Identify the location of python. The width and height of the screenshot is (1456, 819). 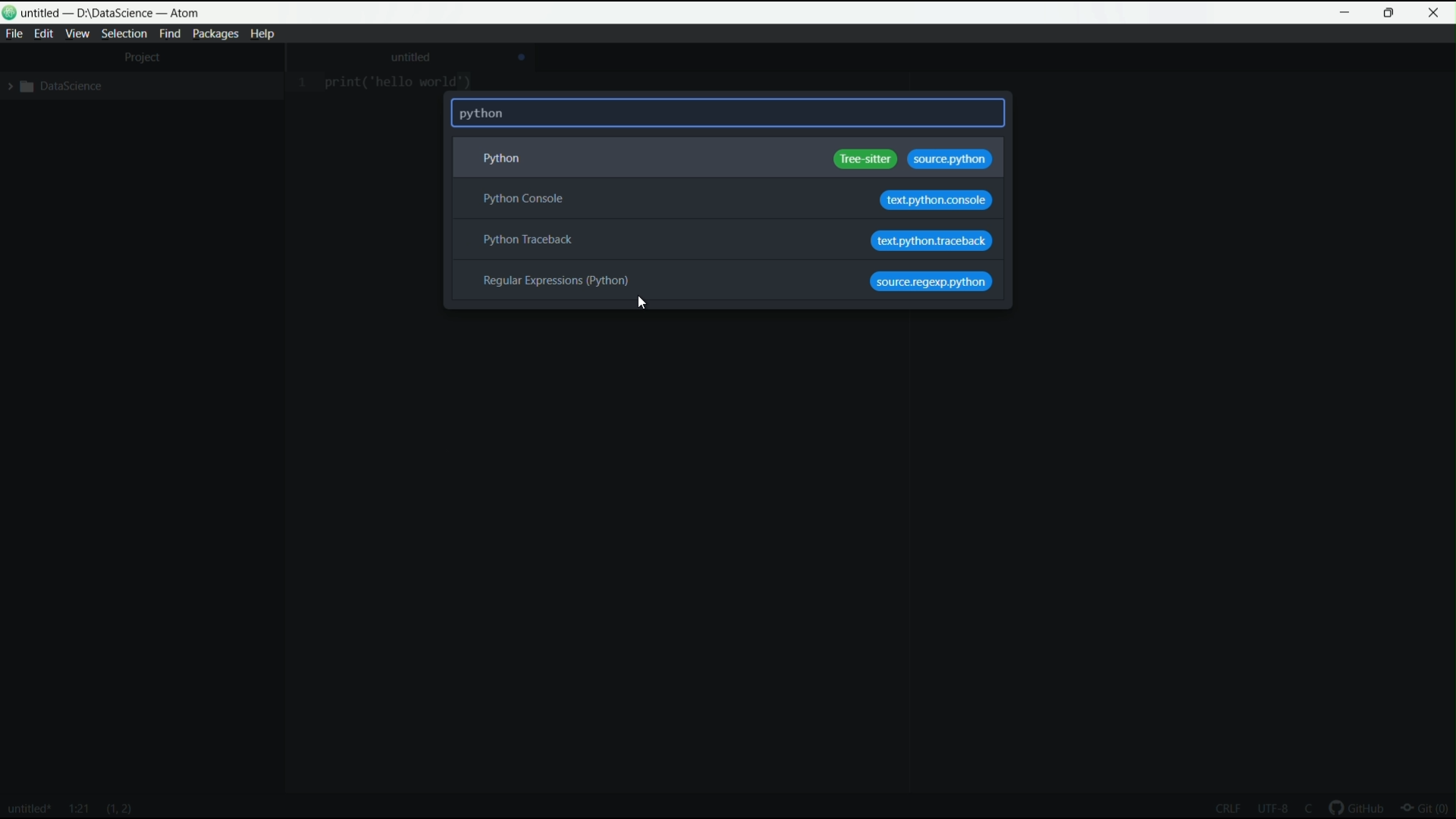
(497, 159).